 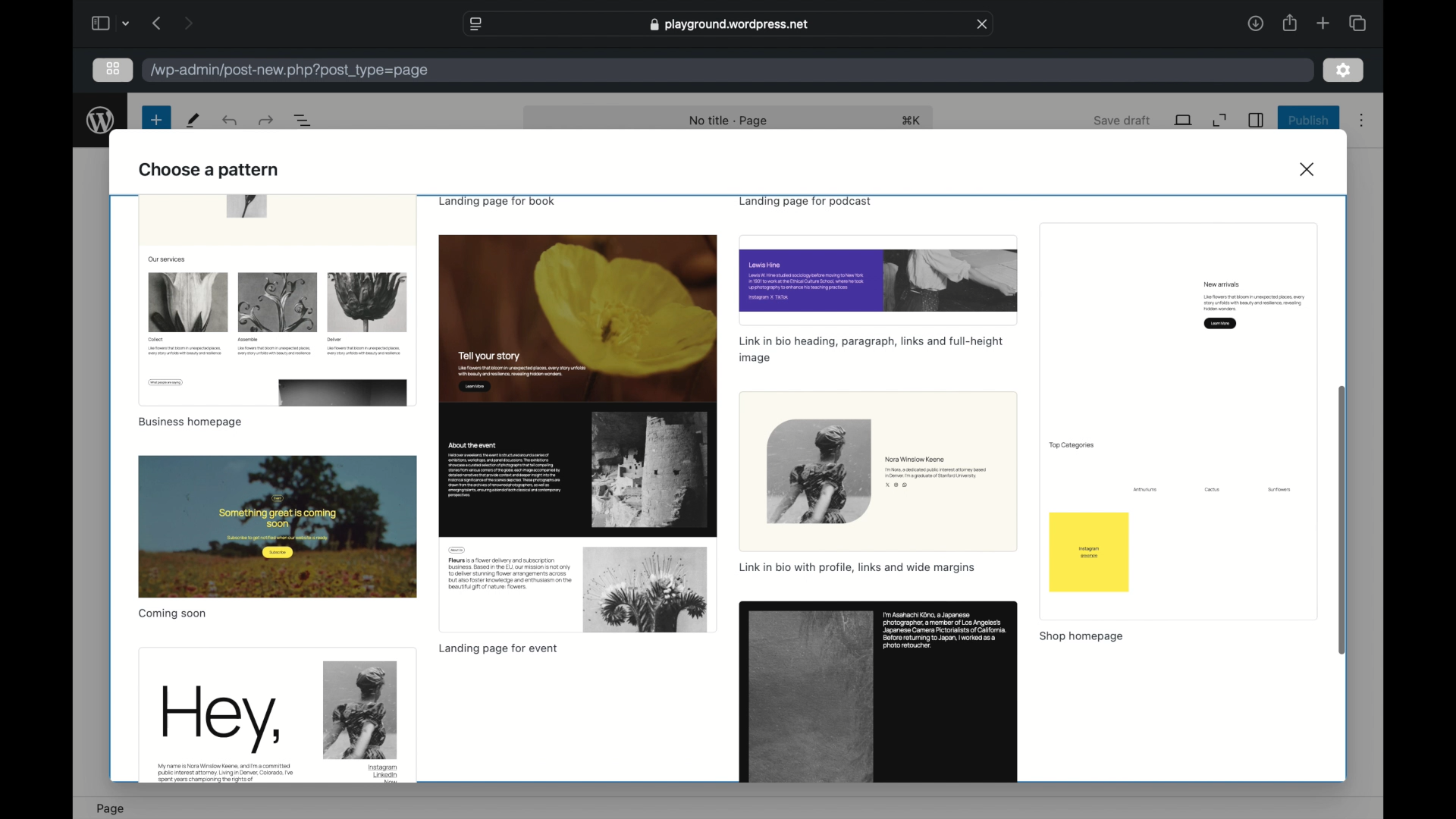 I want to click on choose pattern, so click(x=209, y=170).